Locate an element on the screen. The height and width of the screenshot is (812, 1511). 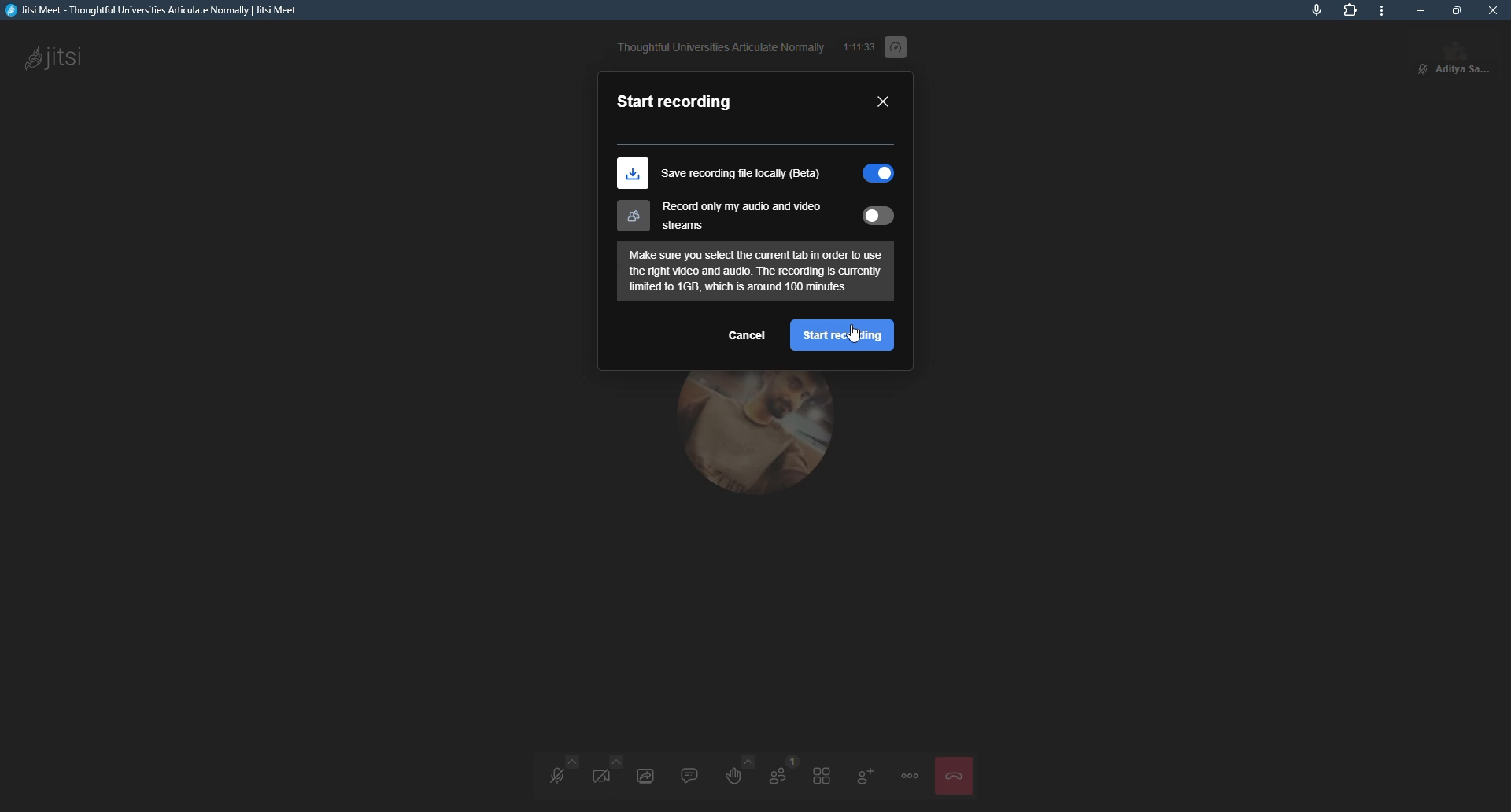
cancel is located at coordinates (748, 334).